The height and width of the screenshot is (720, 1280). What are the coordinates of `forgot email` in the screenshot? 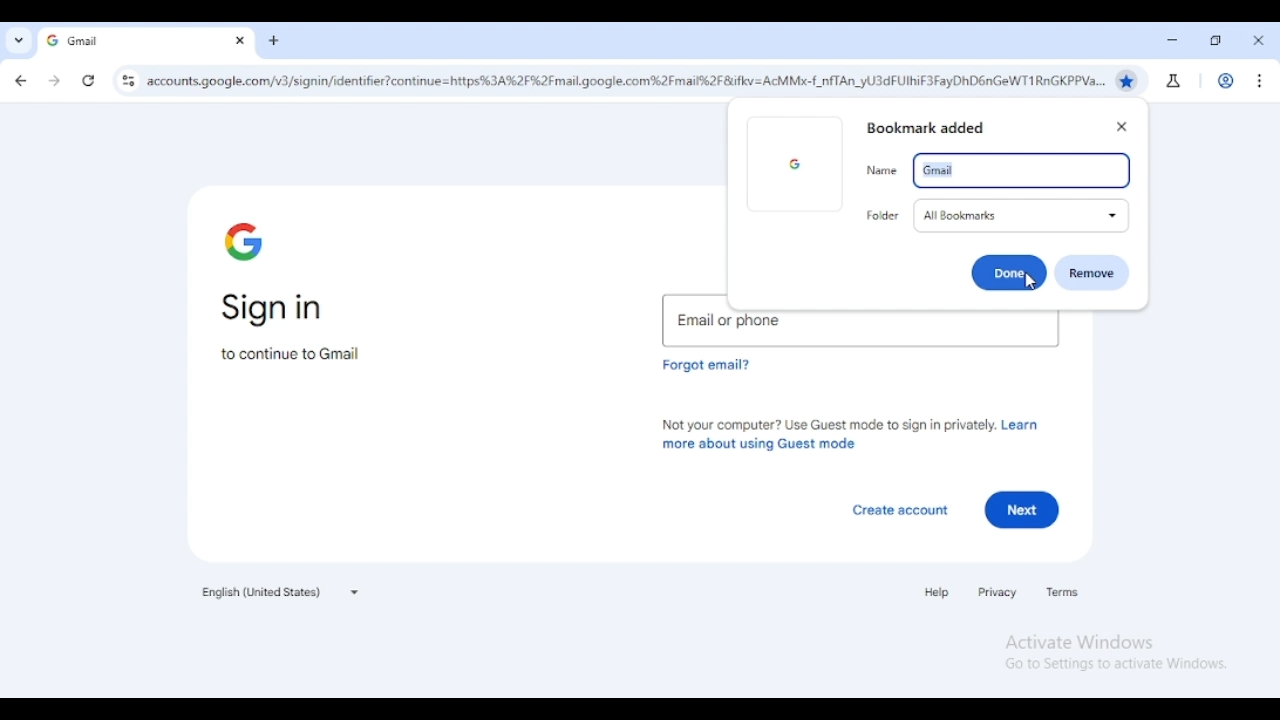 It's located at (705, 365).